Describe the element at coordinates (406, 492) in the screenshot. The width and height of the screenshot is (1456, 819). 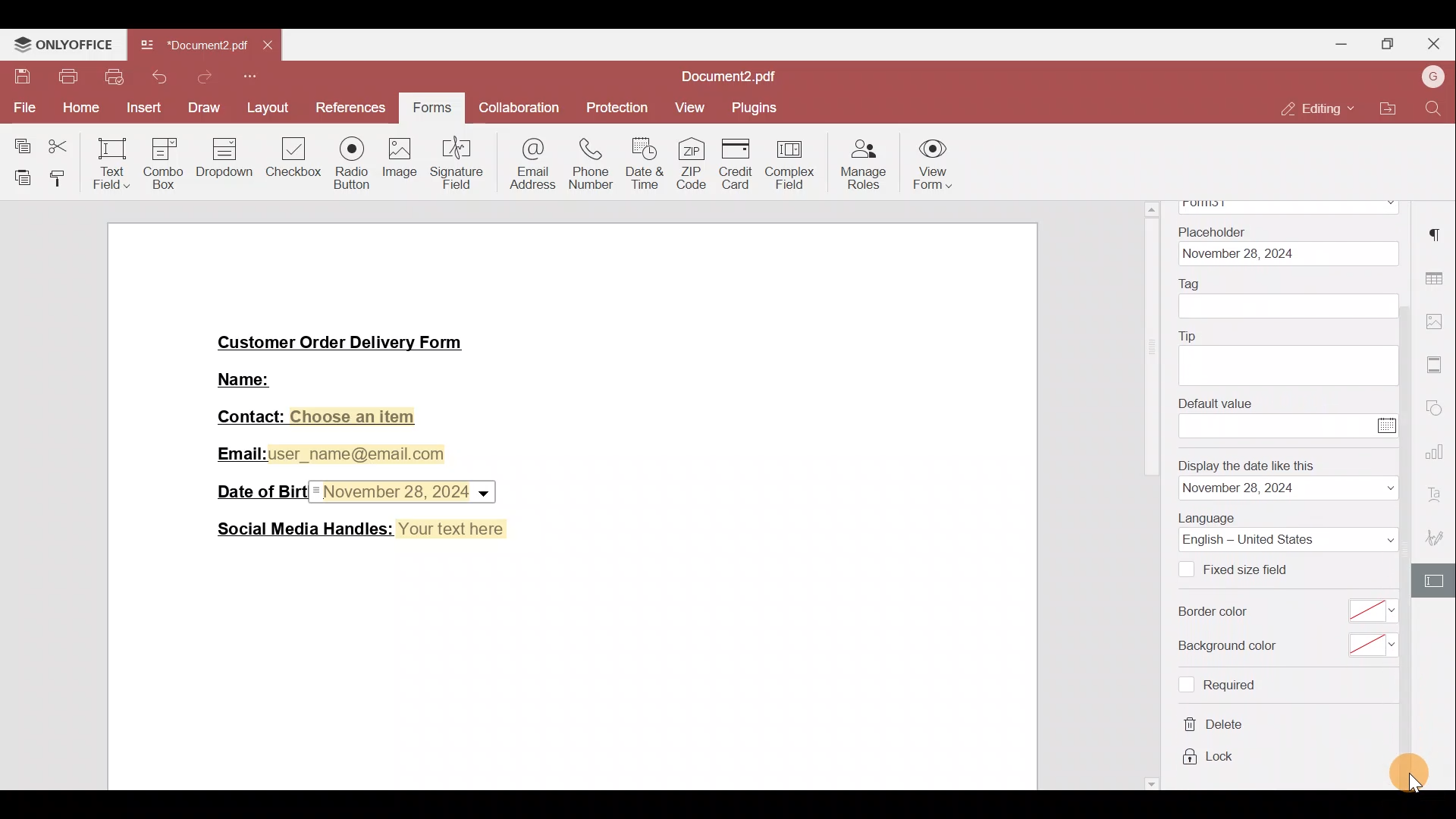
I see `Date & time field inserted` at that location.